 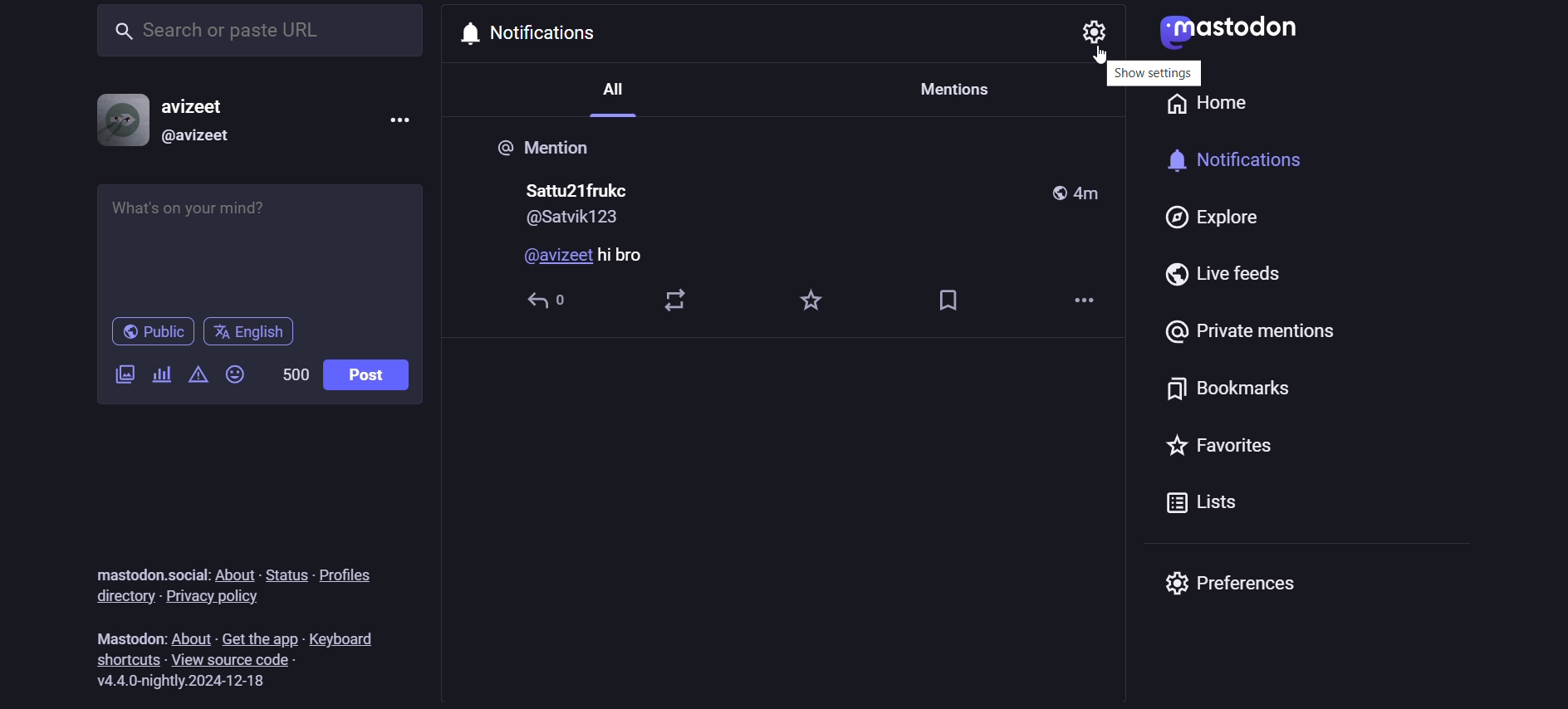 What do you see at coordinates (951, 301) in the screenshot?
I see `bookmark` at bounding box center [951, 301].